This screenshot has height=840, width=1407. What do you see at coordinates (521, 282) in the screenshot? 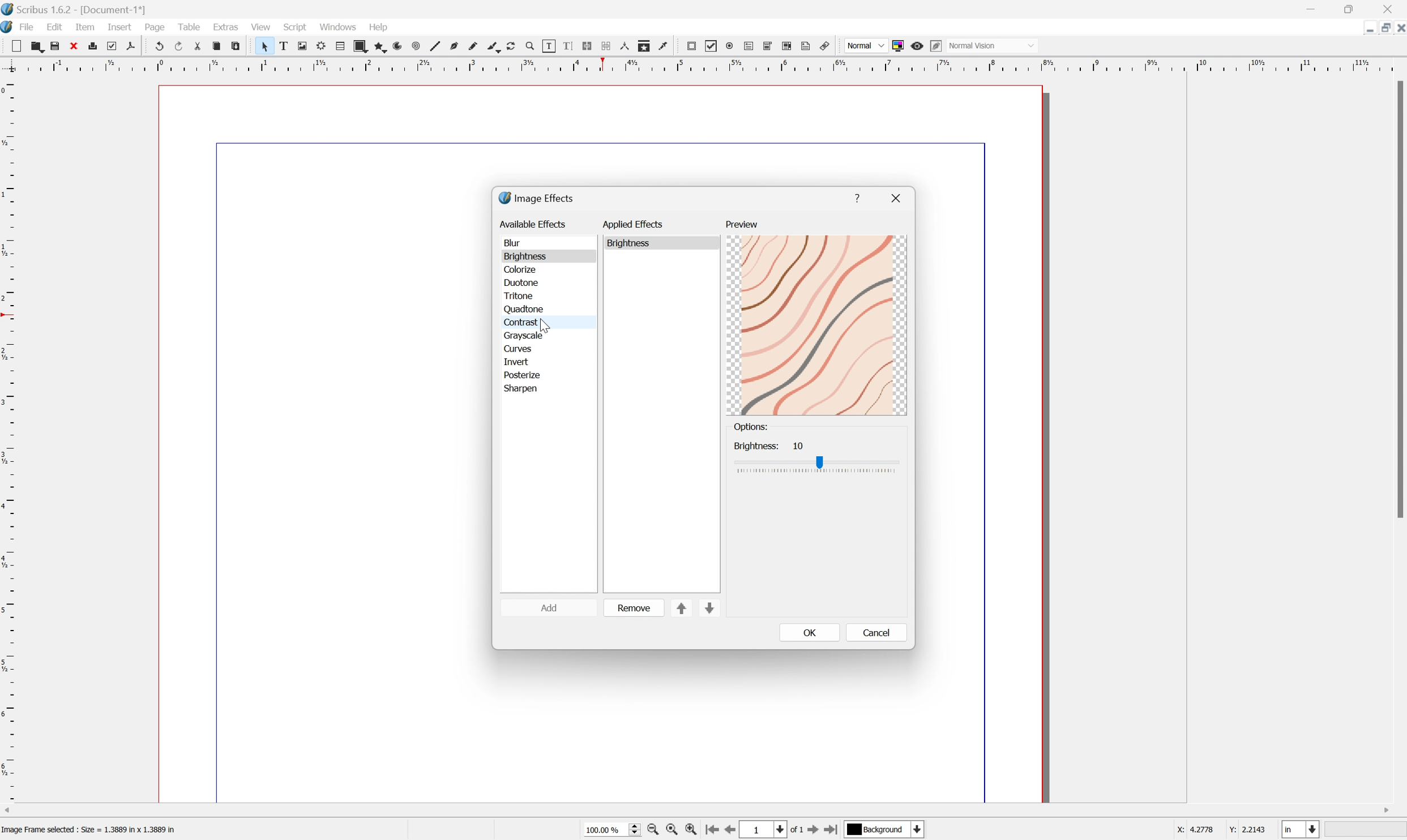
I see `duotone` at bounding box center [521, 282].